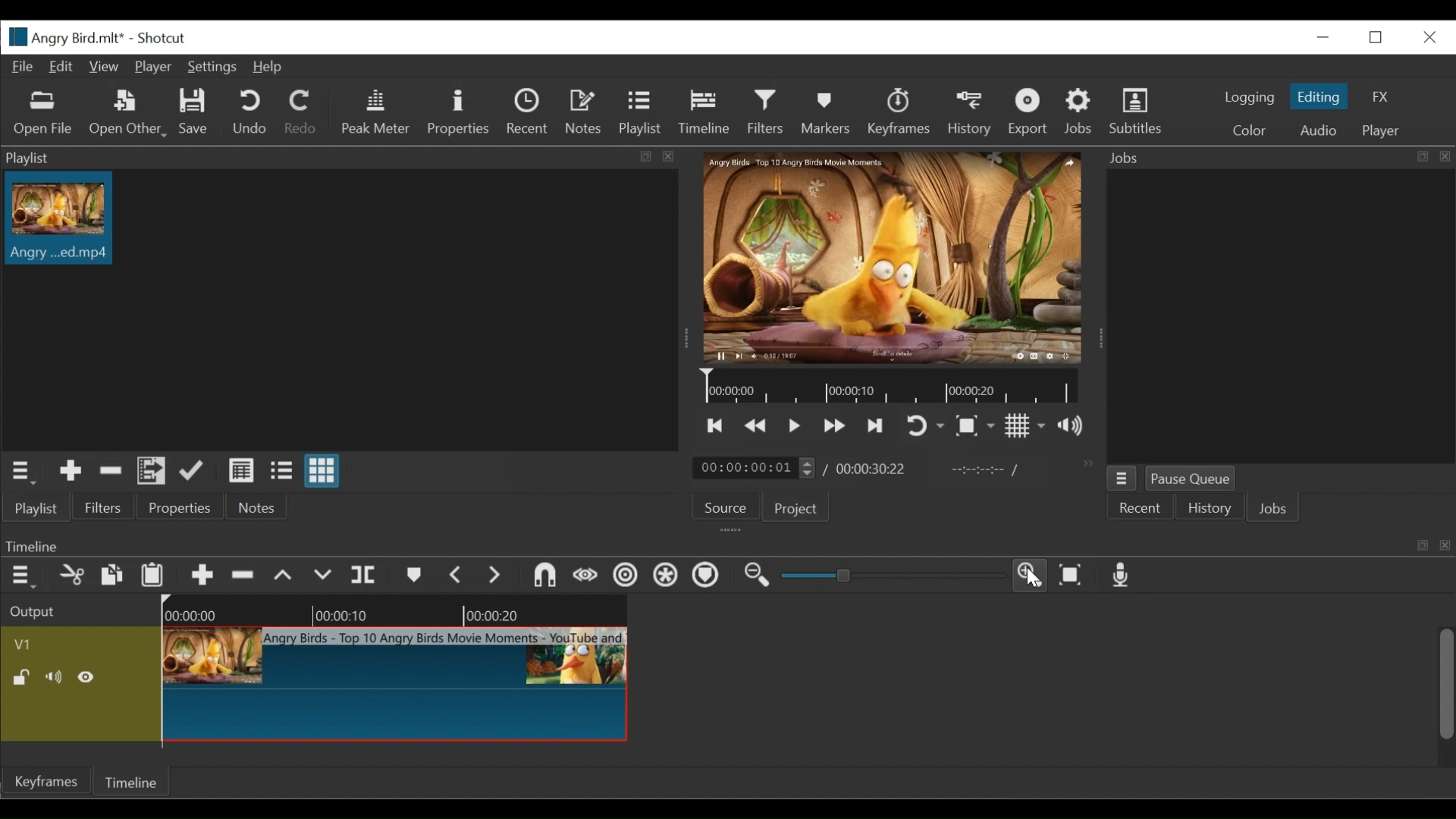 Image resolution: width=1456 pixels, height=819 pixels. I want to click on History, so click(1210, 508).